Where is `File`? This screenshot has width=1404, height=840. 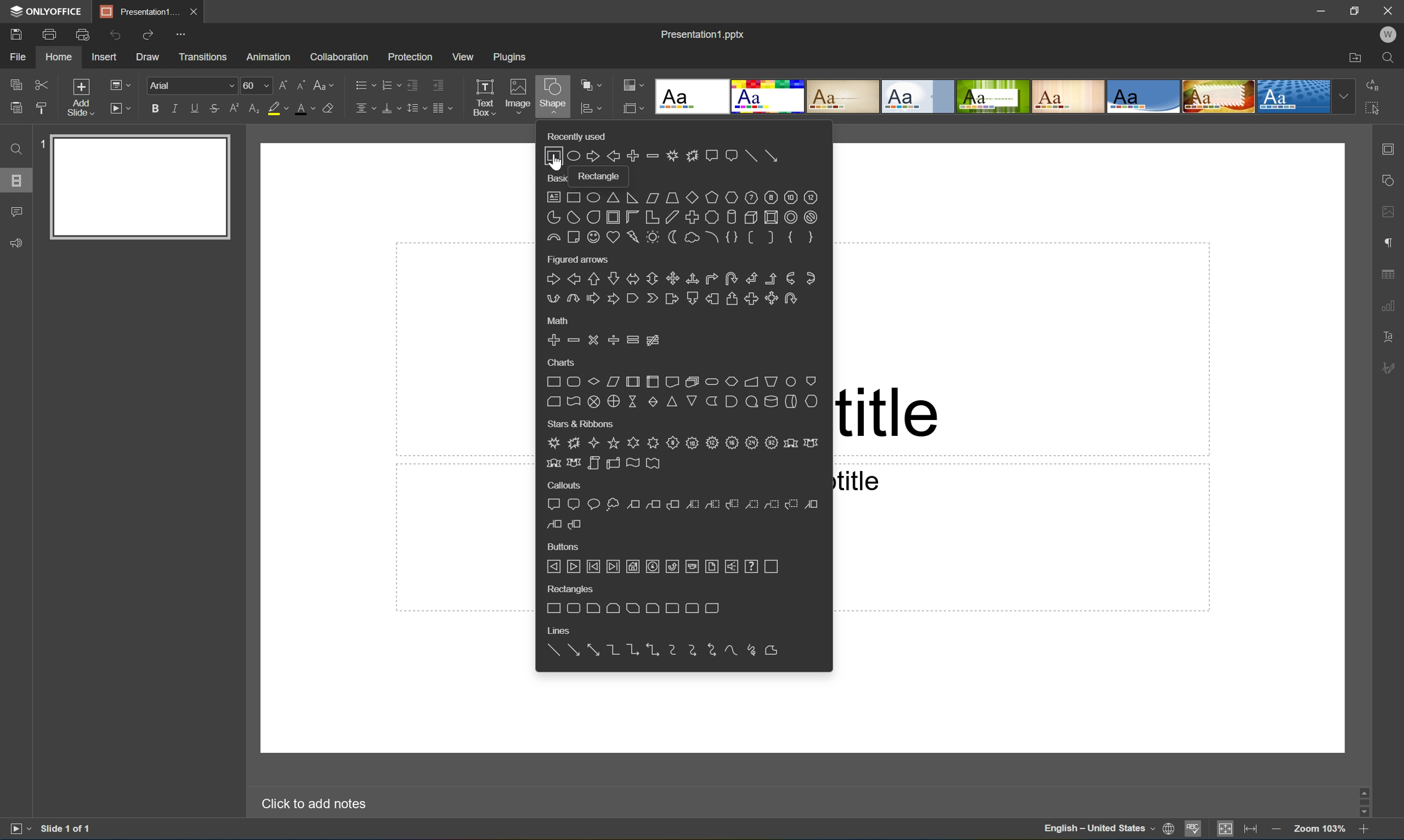
File is located at coordinates (21, 58).